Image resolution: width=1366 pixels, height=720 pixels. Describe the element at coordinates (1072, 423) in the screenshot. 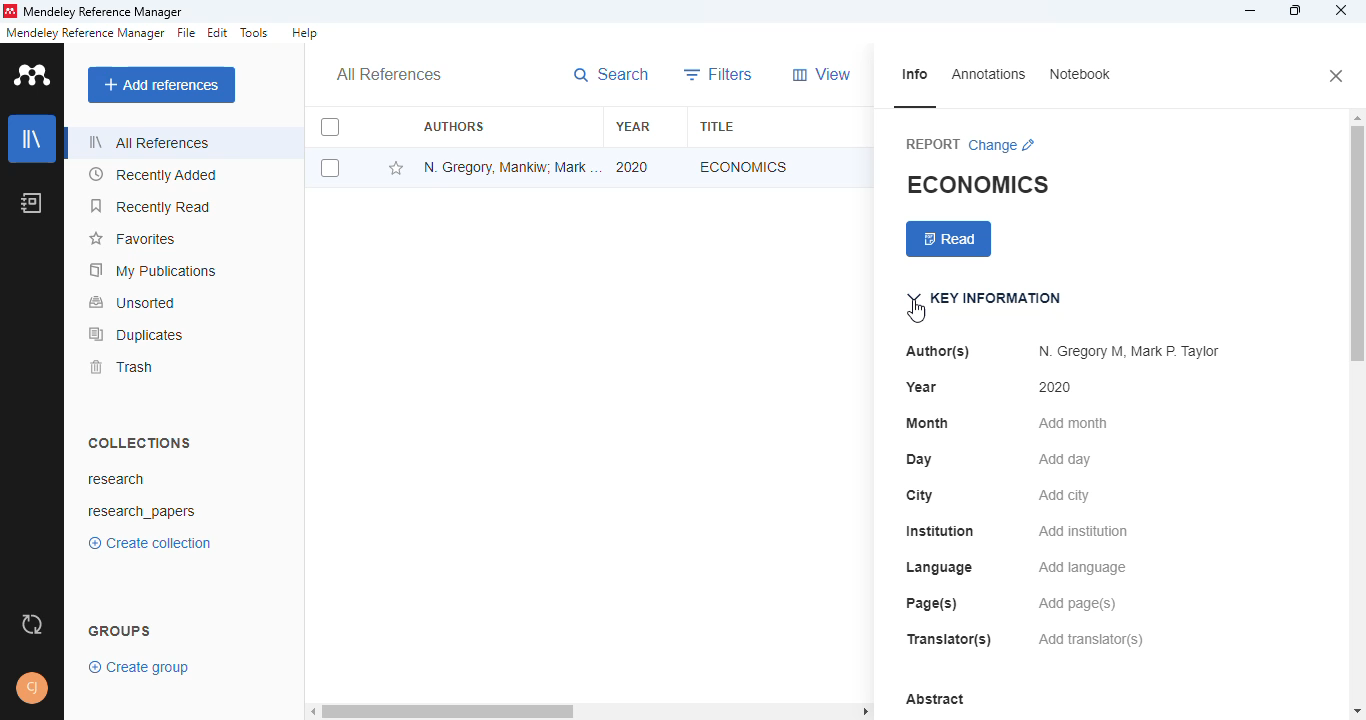

I see `add month` at that location.